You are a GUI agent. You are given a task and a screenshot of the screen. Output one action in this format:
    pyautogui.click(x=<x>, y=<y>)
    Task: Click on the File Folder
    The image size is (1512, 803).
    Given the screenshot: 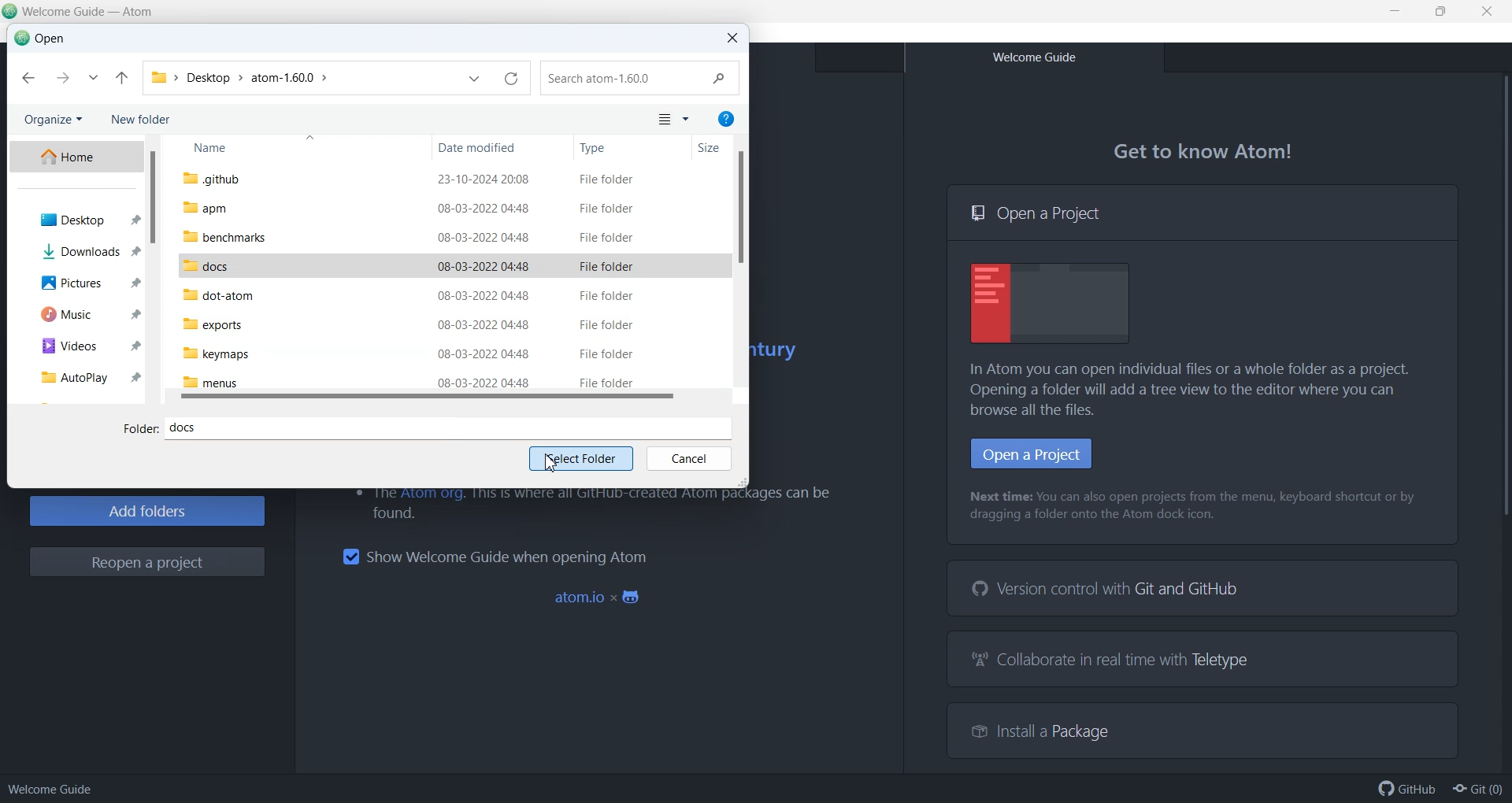 What is the action you would take?
    pyautogui.click(x=606, y=354)
    